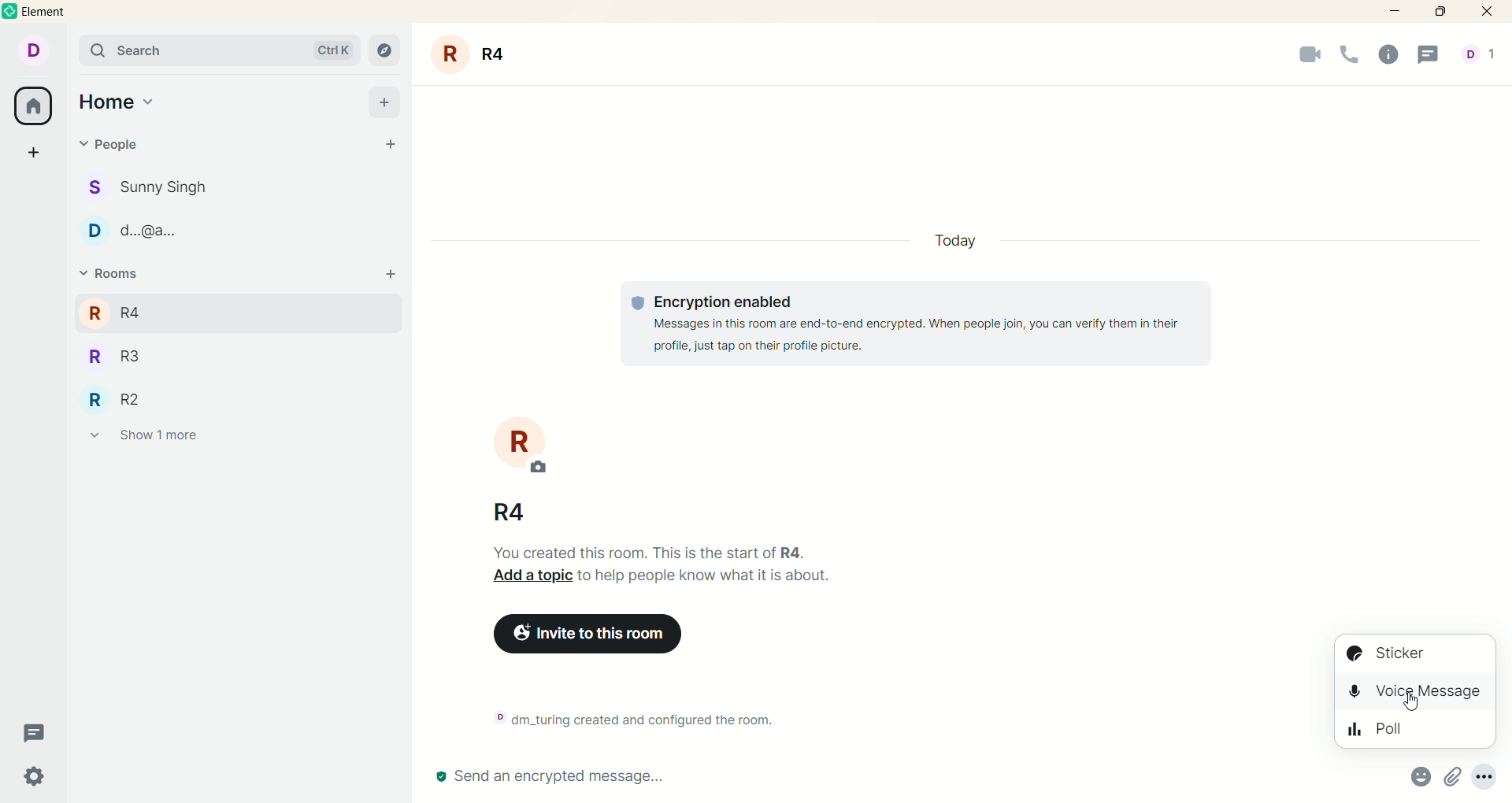 This screenshot has height=803, width=1512. Describe the element at coordinates (133, 398) in the screenshot. I see `R2` at that location.